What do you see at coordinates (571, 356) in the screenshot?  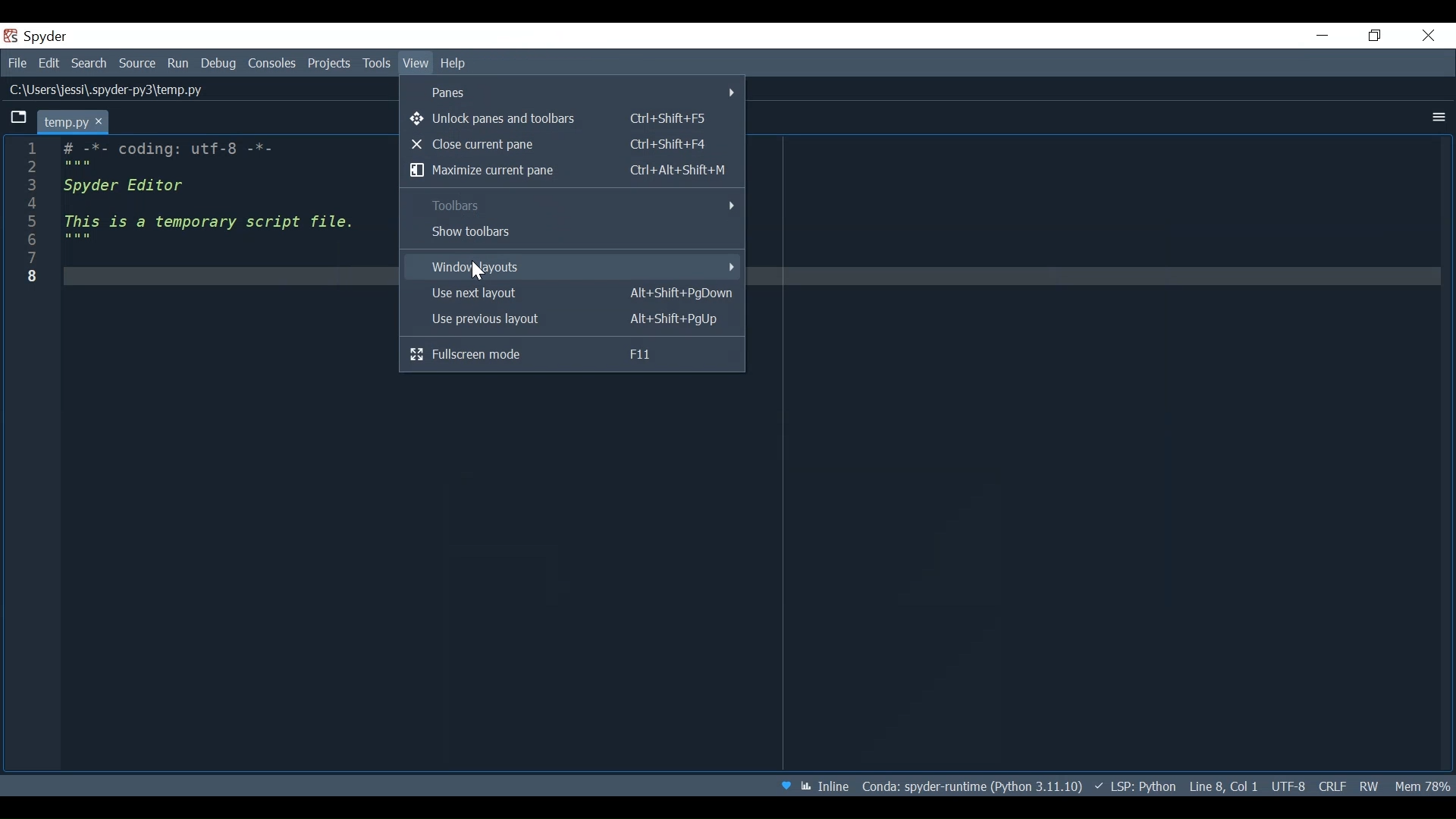 I see `Fullscreen mode` at bounding box center [571, 356].